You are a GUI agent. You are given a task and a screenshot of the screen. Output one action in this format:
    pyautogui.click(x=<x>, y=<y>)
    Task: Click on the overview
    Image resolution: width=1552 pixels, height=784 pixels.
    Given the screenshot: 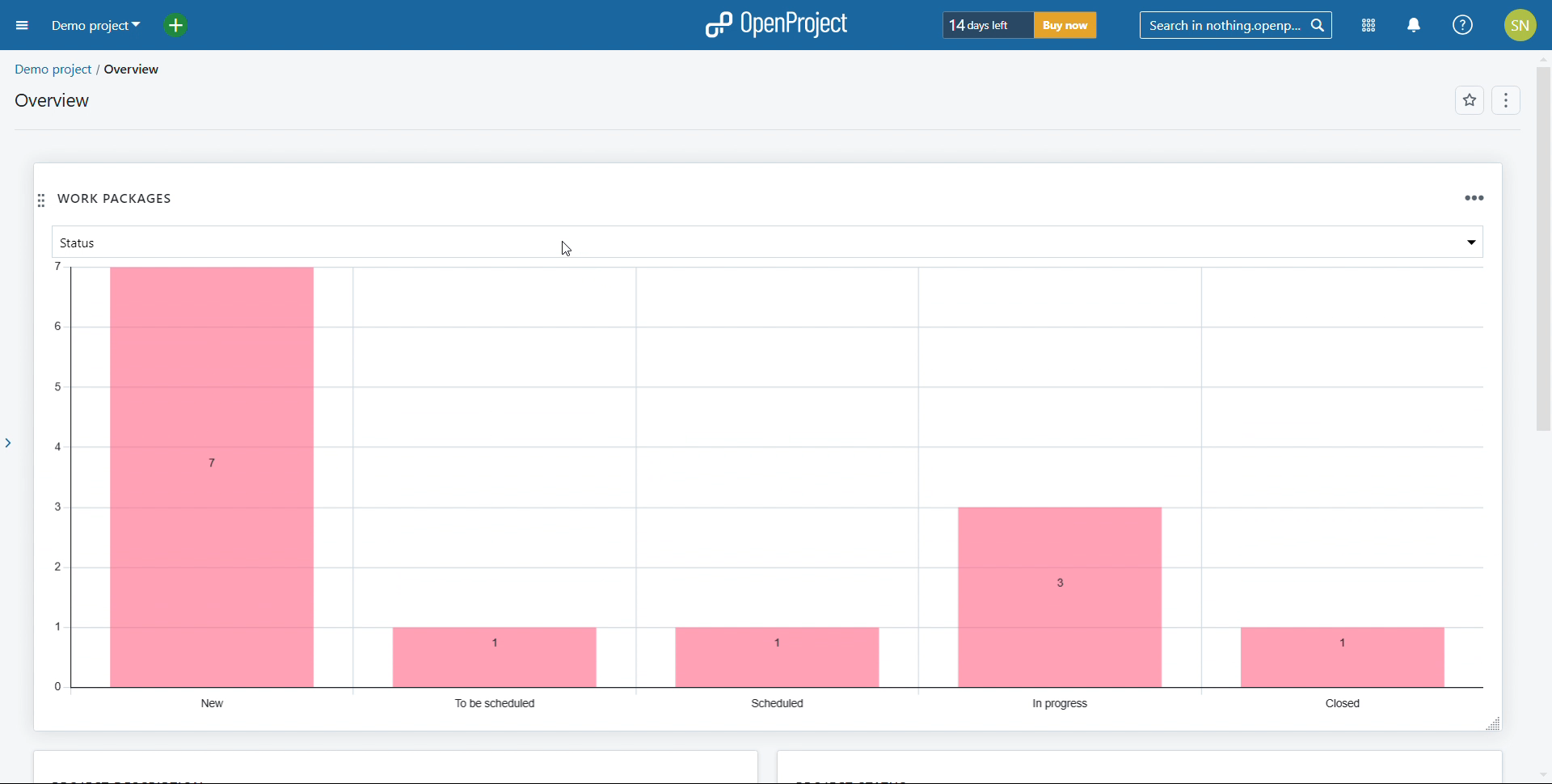 What is the action you would take?
    pyautogui.click(x=144, y=70)
    